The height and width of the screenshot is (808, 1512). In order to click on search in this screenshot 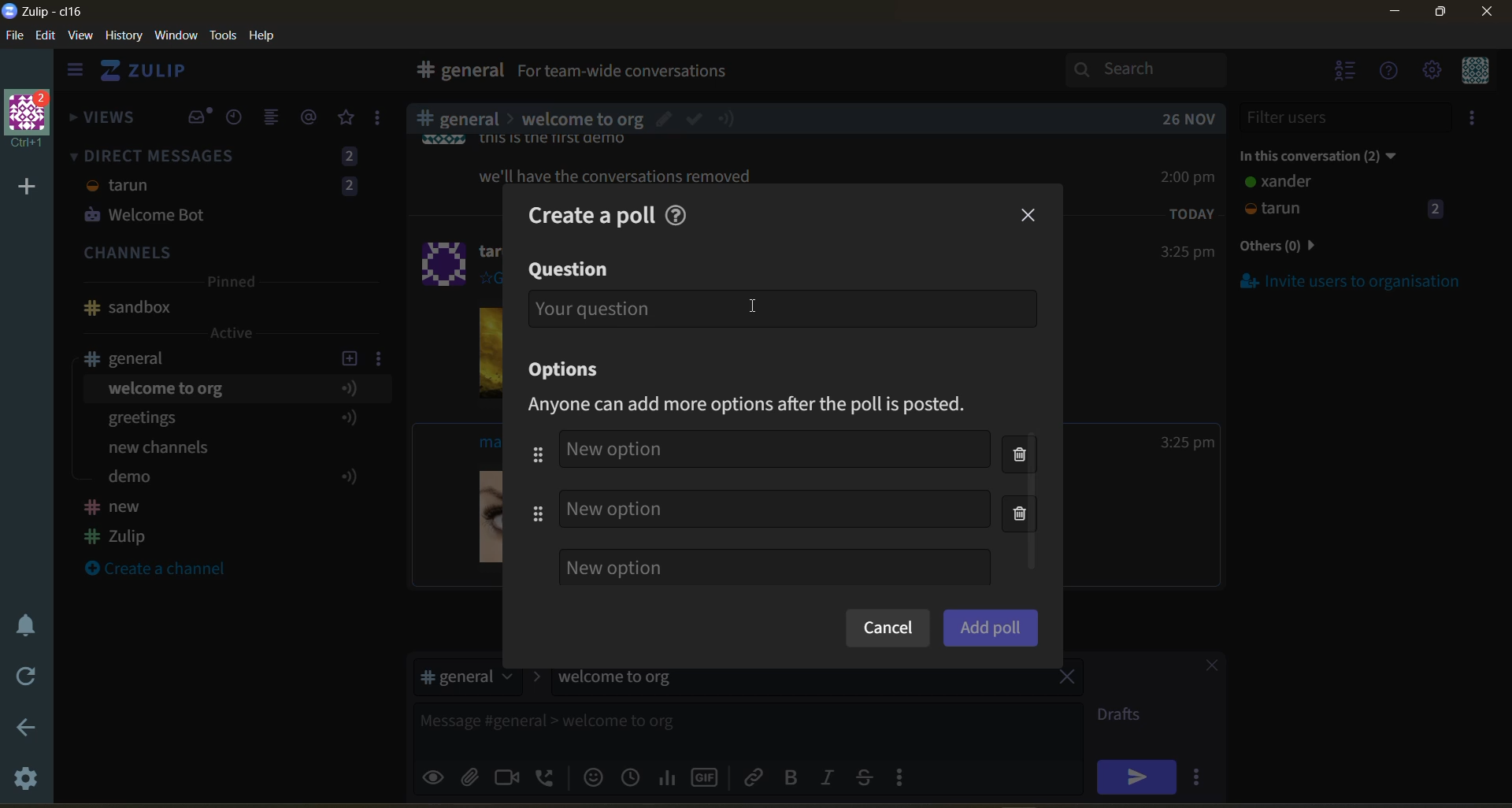, I will do `click(1160, 69)`.